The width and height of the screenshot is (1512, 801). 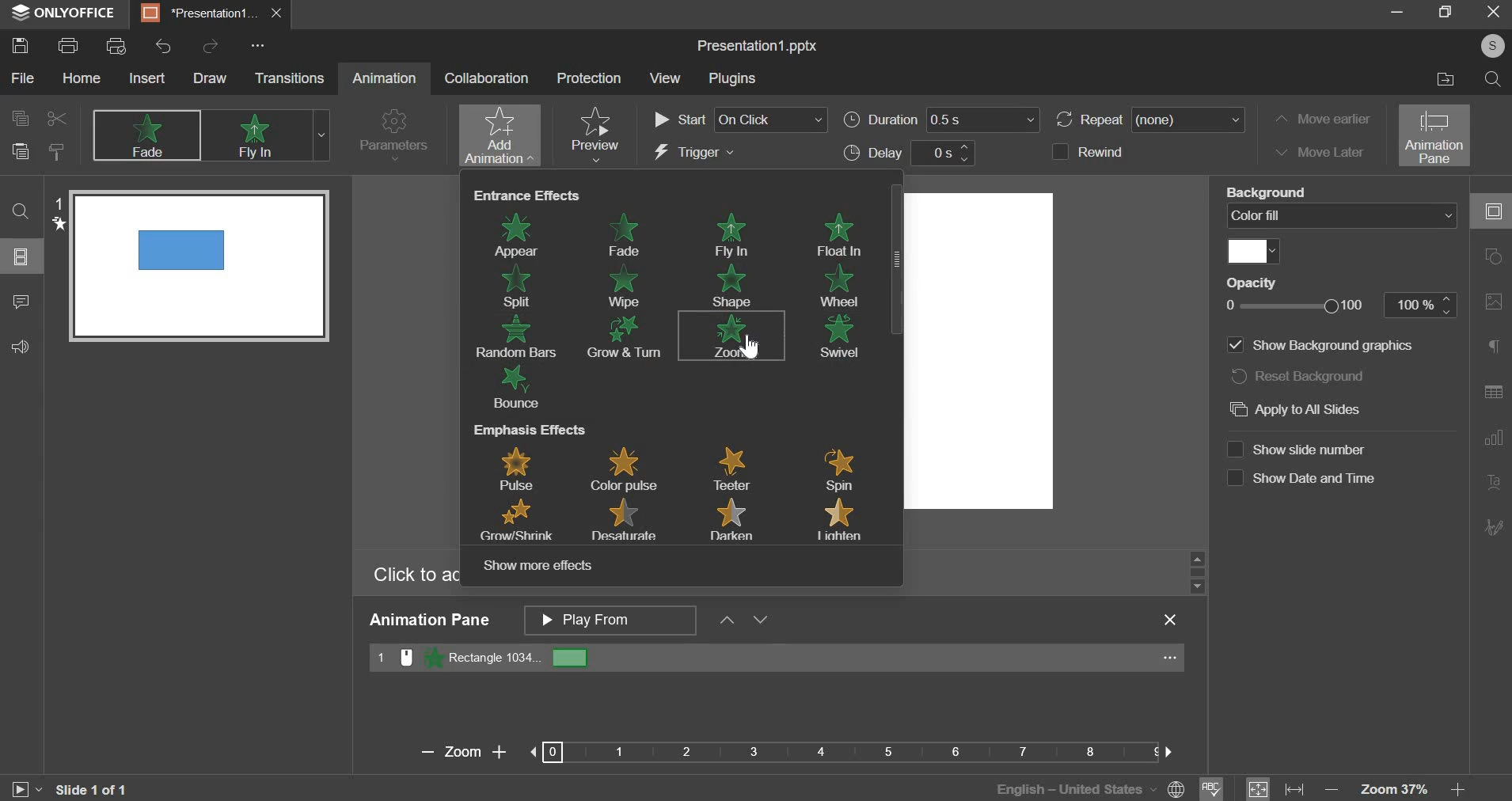 I want to click on minimize, so click(x=1393, y=13).